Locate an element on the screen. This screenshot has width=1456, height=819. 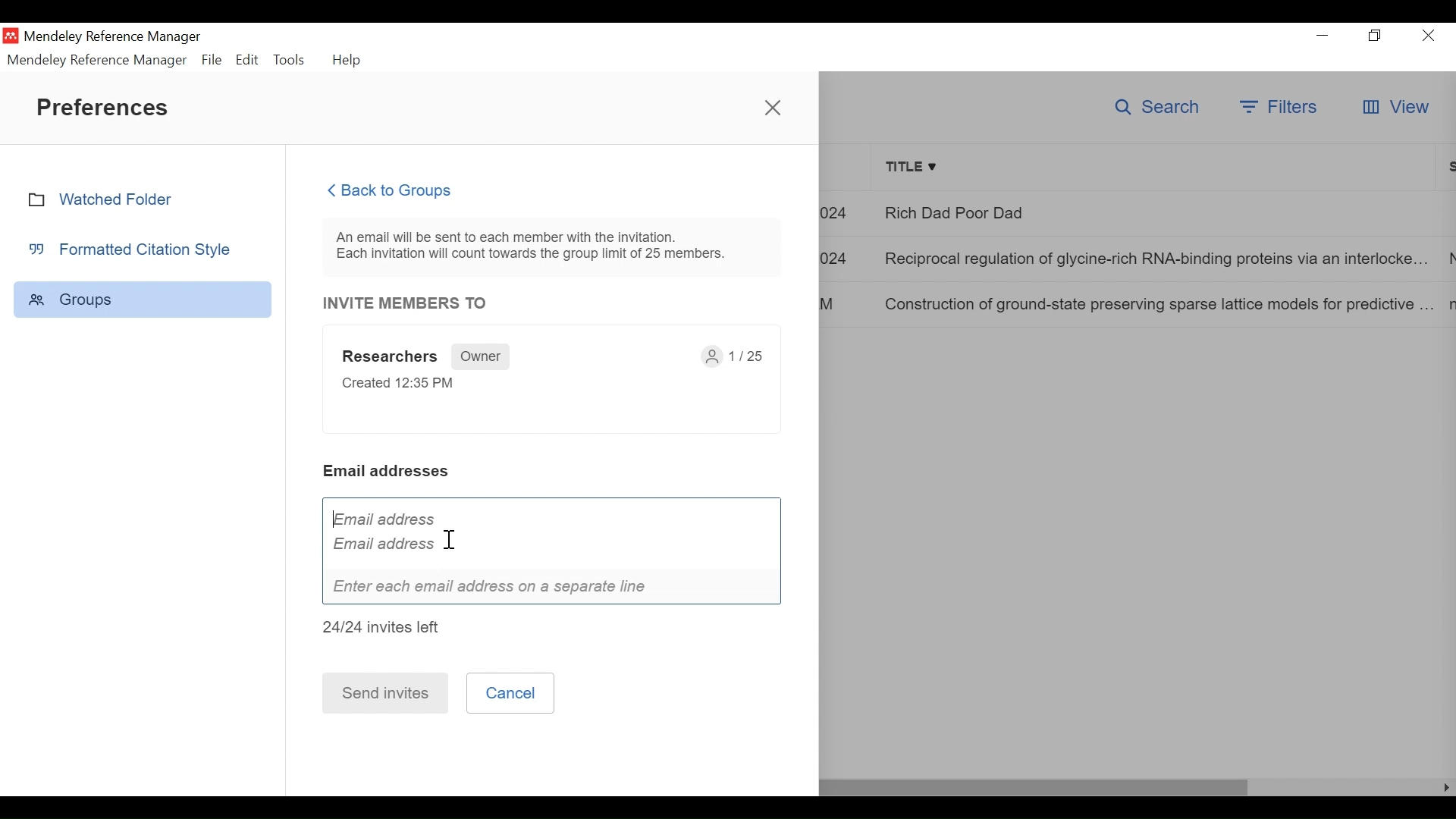
Researchers is located at coordinates (391, 358).